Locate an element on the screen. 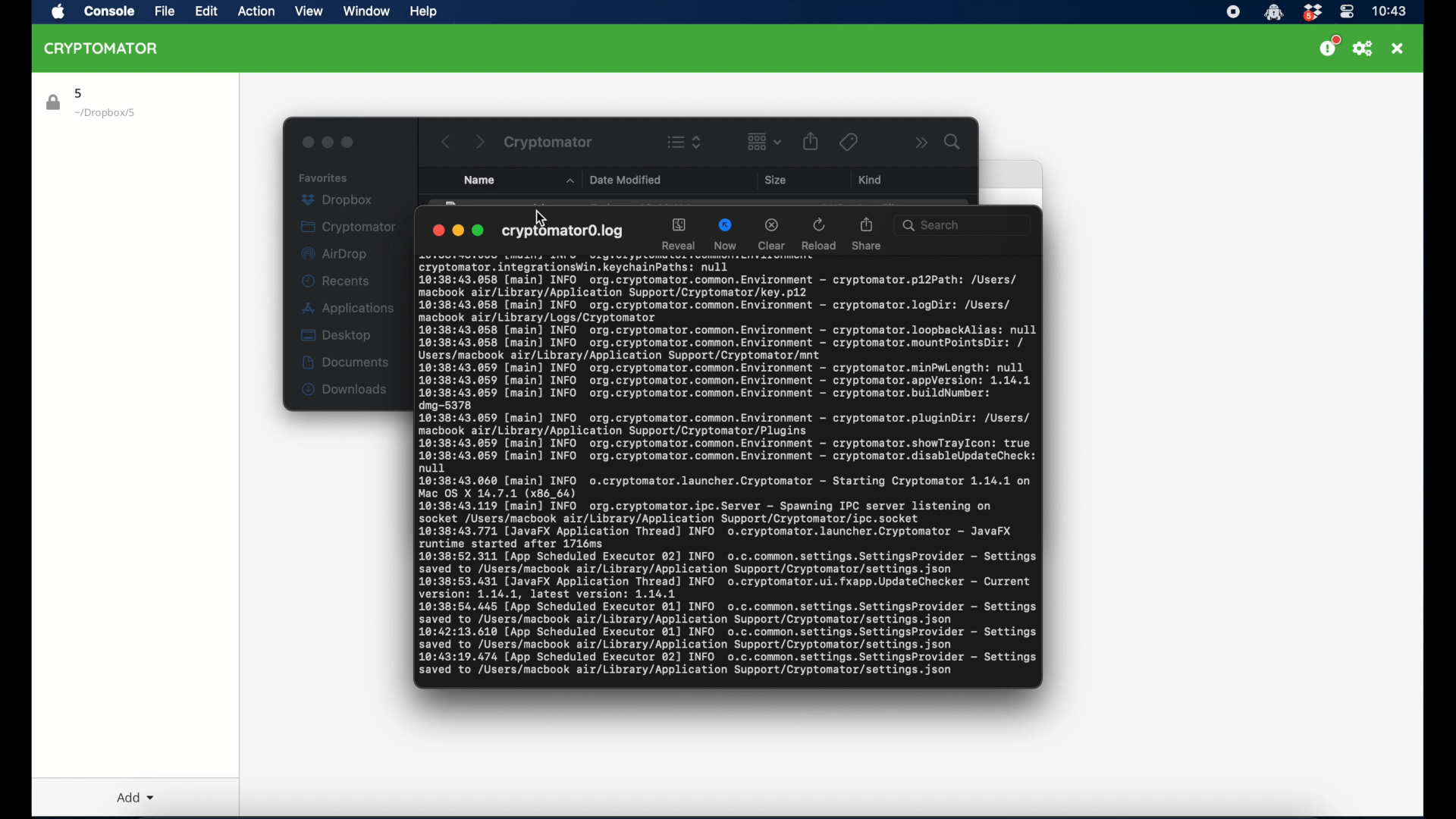  reveal is located at coordinates (679, 224).